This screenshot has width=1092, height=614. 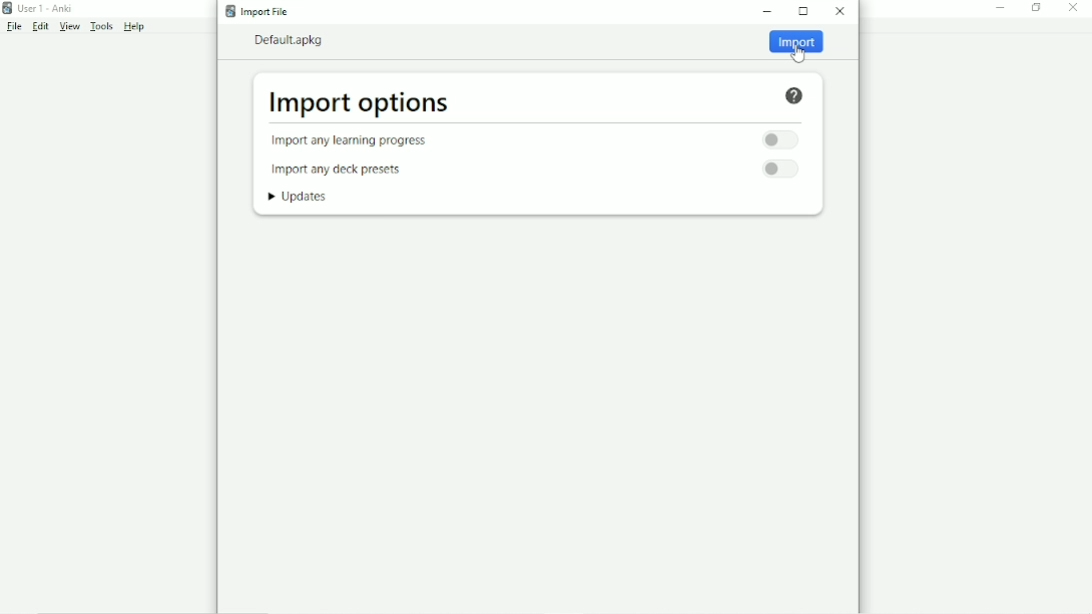 I want to click on Restore down, so click(x=1036, y=8).